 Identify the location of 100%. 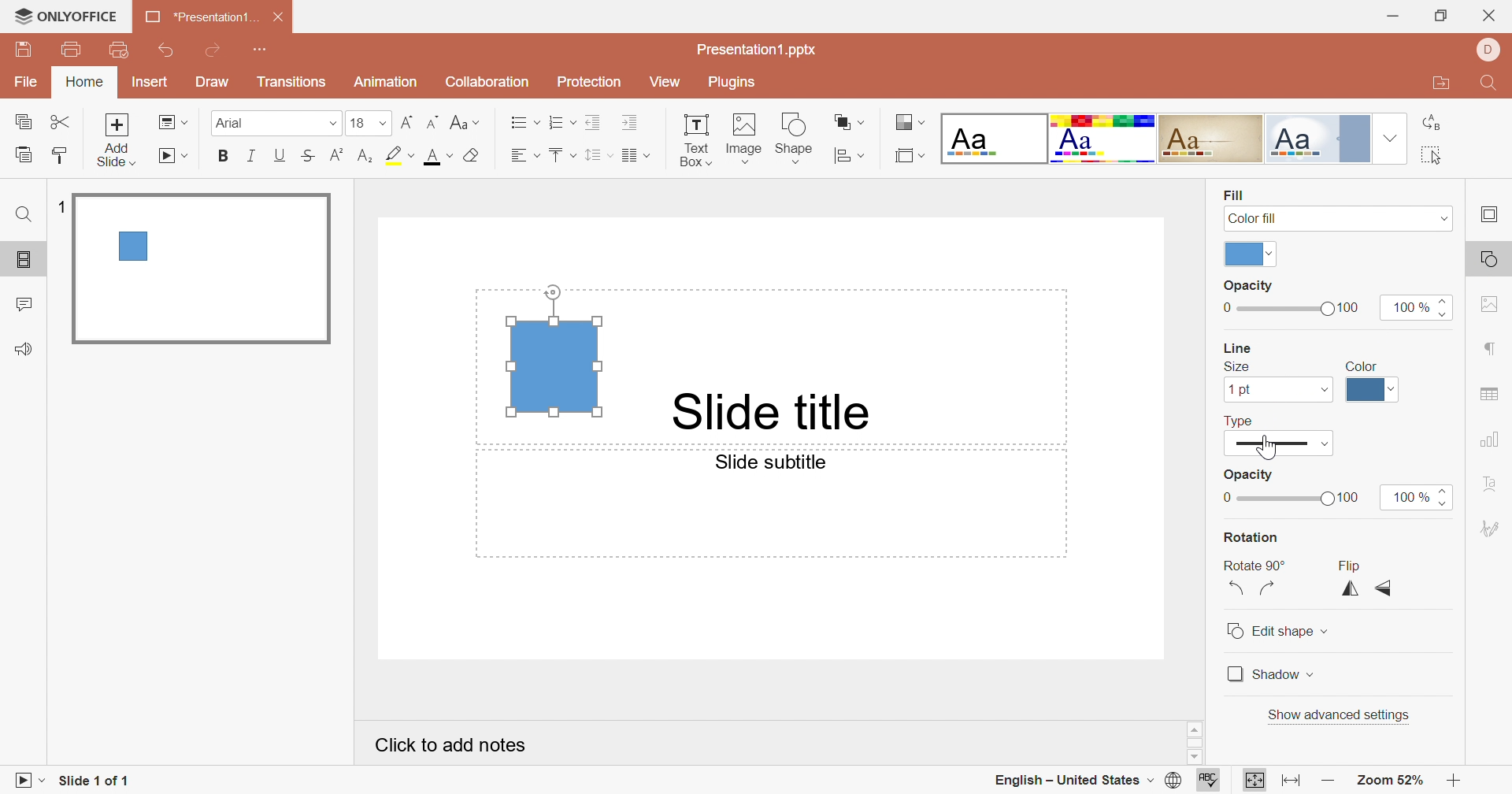
(1406, 496).